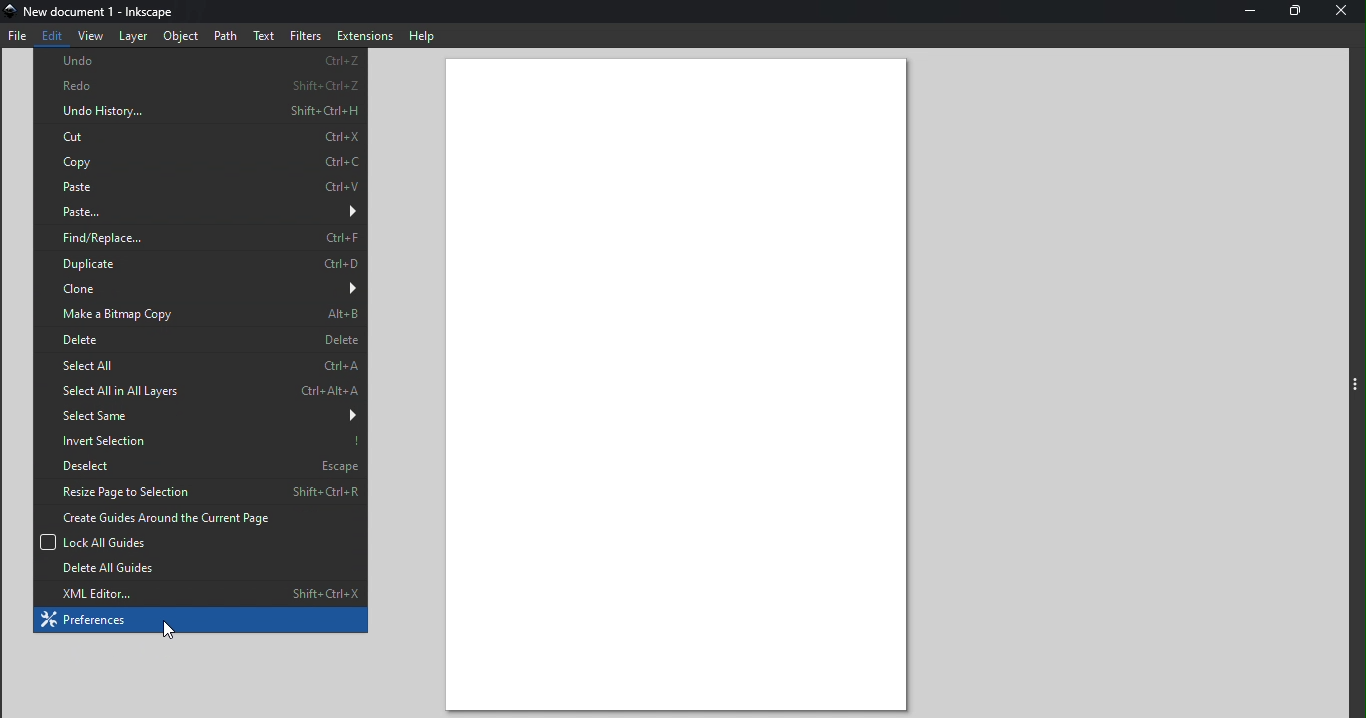 Image resolution: width=1366 pixels, height=718 pixels. Describe the element at coordinates (197, 211) in the screenshot. I see `Paste` at that location.